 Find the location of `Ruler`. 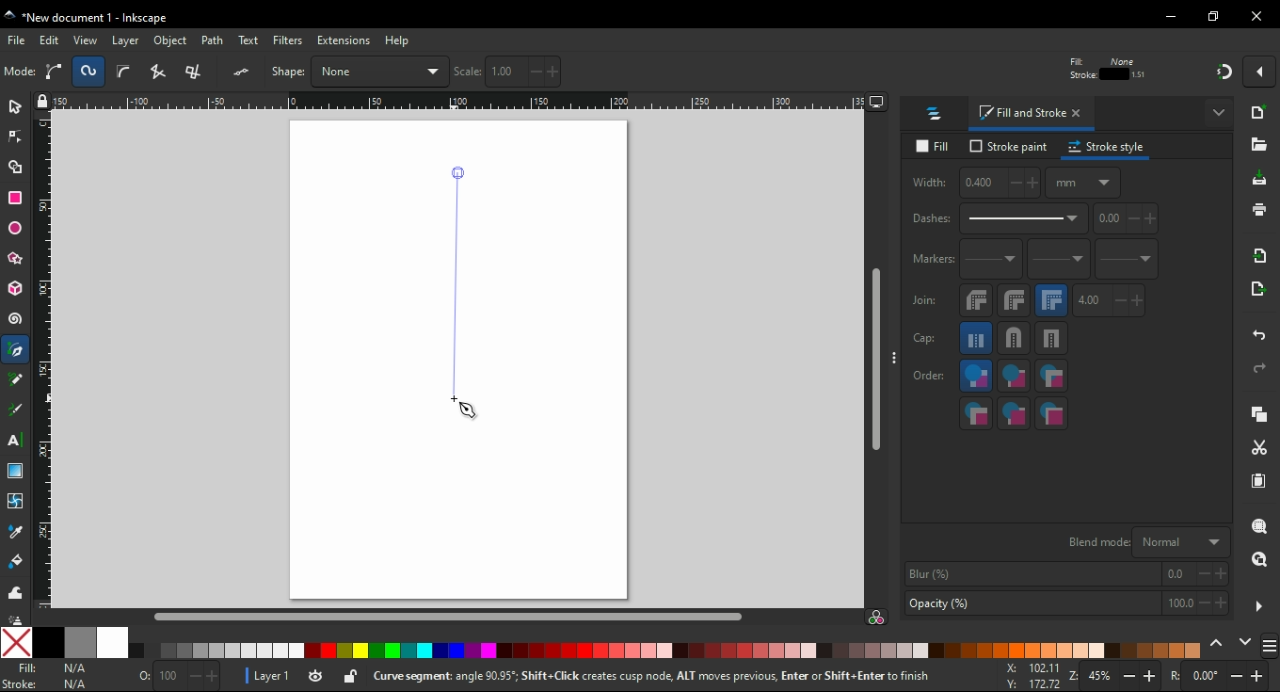

Ruler is located at coordinates (451, 103).